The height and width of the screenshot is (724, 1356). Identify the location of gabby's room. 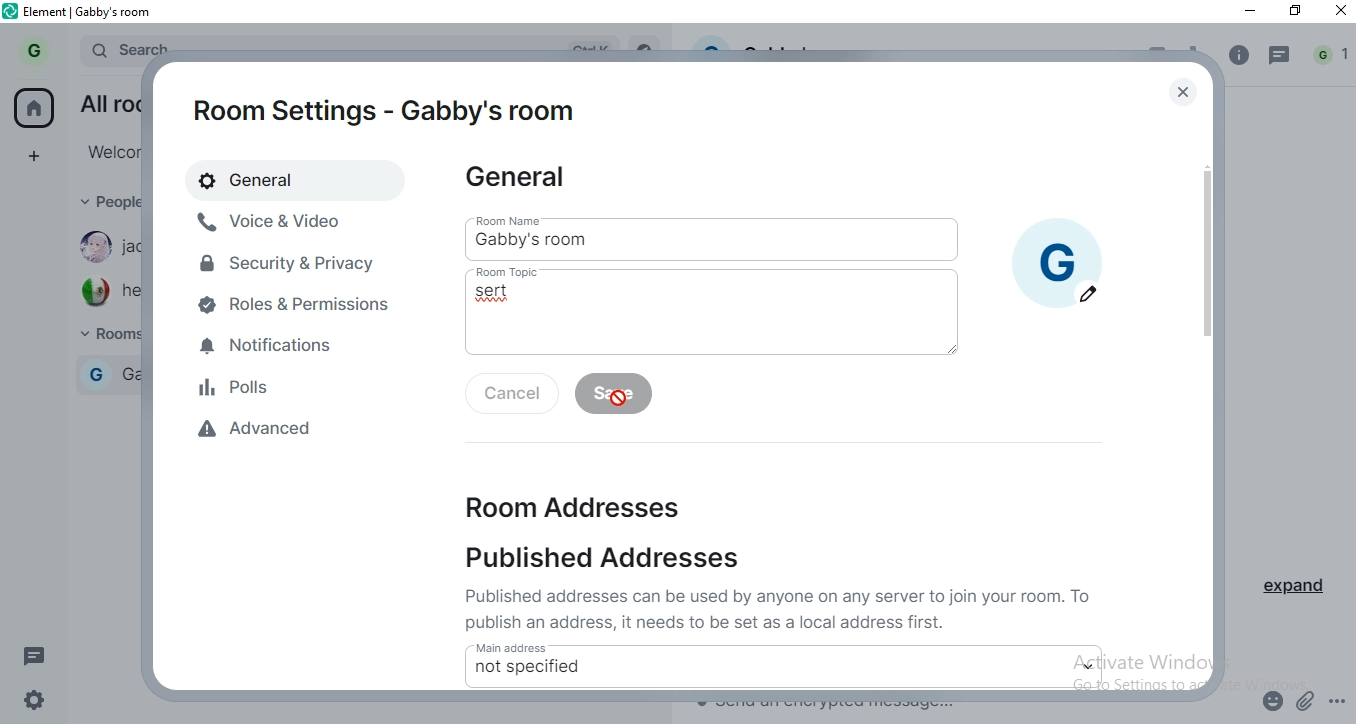
(591, 240).